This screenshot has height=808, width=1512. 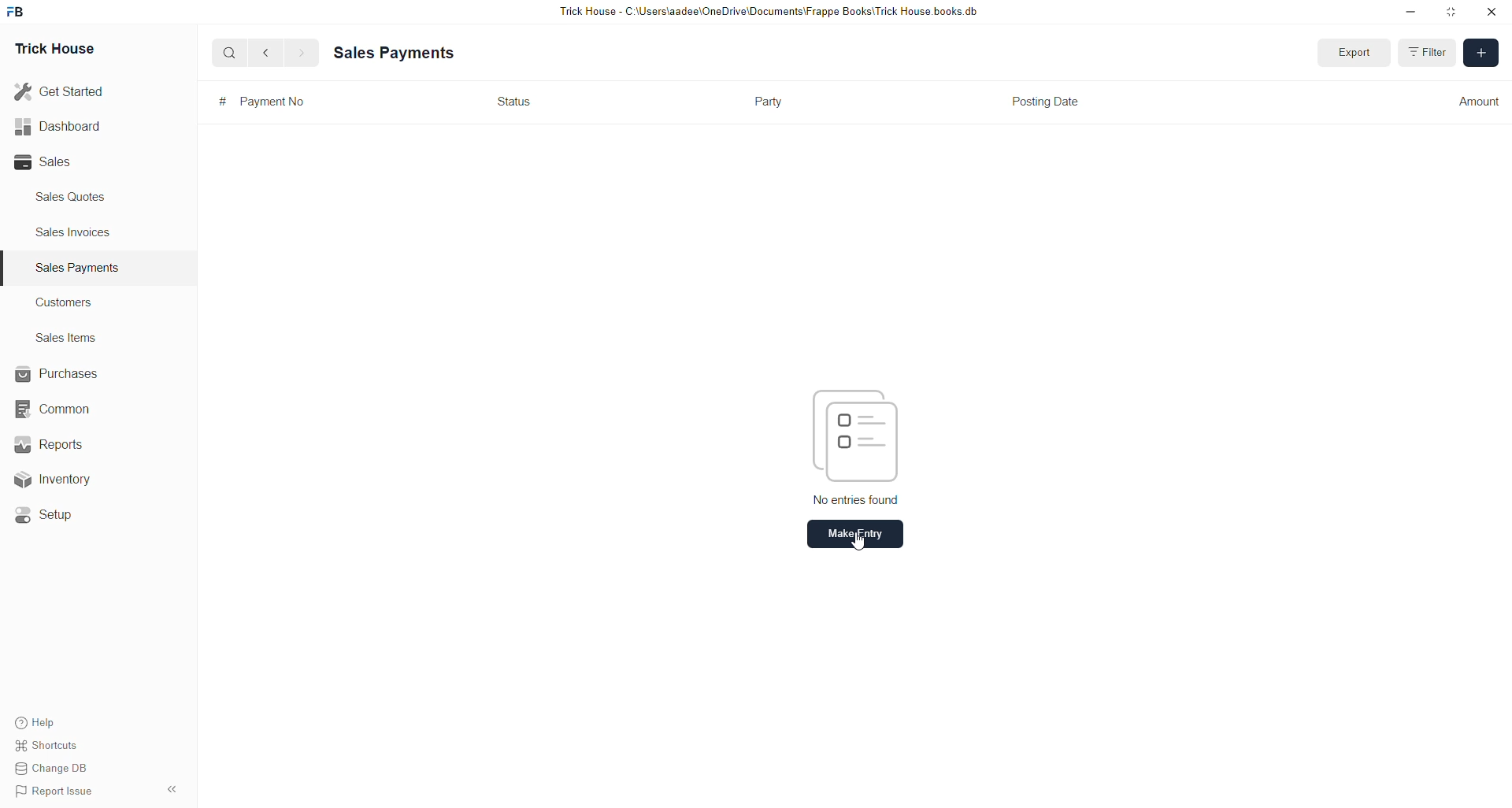 I want to click on Help, so click(x=38, y=718).